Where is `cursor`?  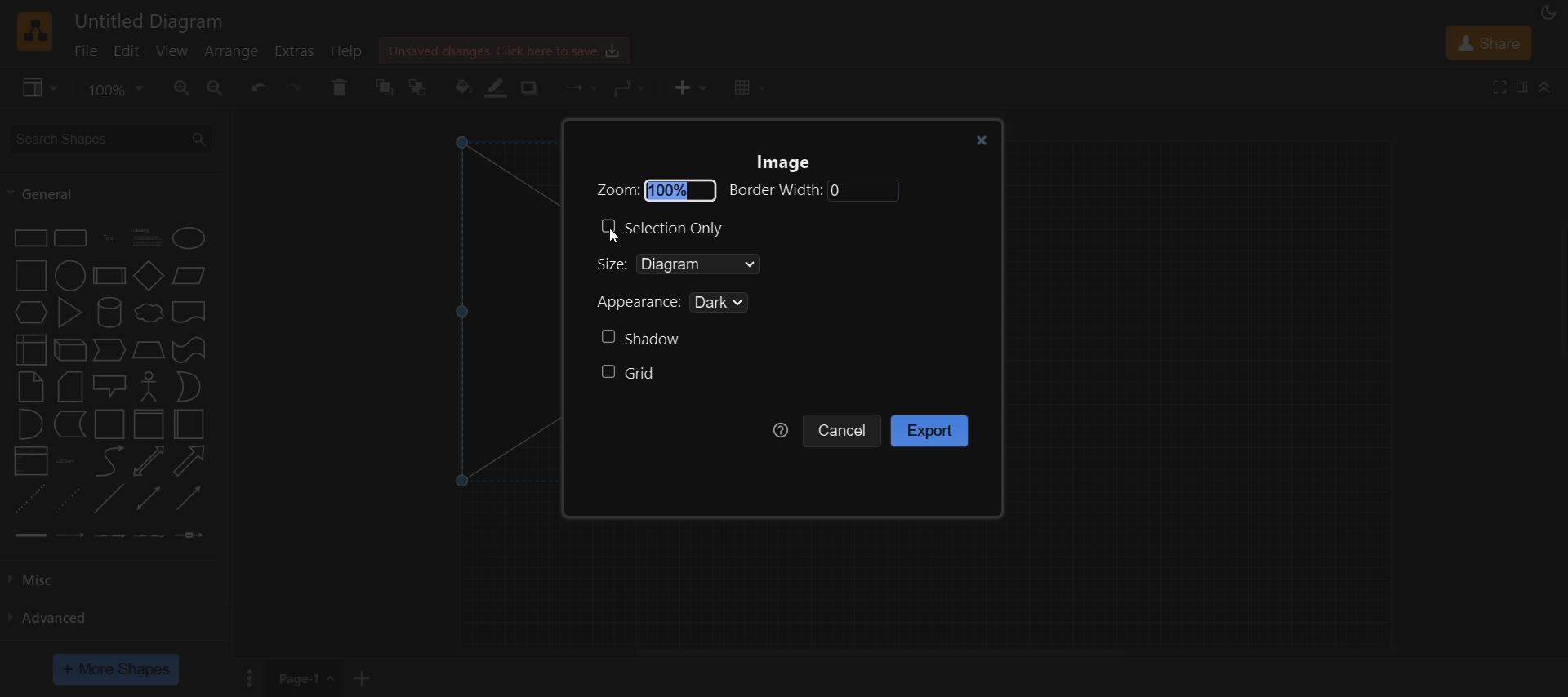 cursor is located at coordinates (615, 238).